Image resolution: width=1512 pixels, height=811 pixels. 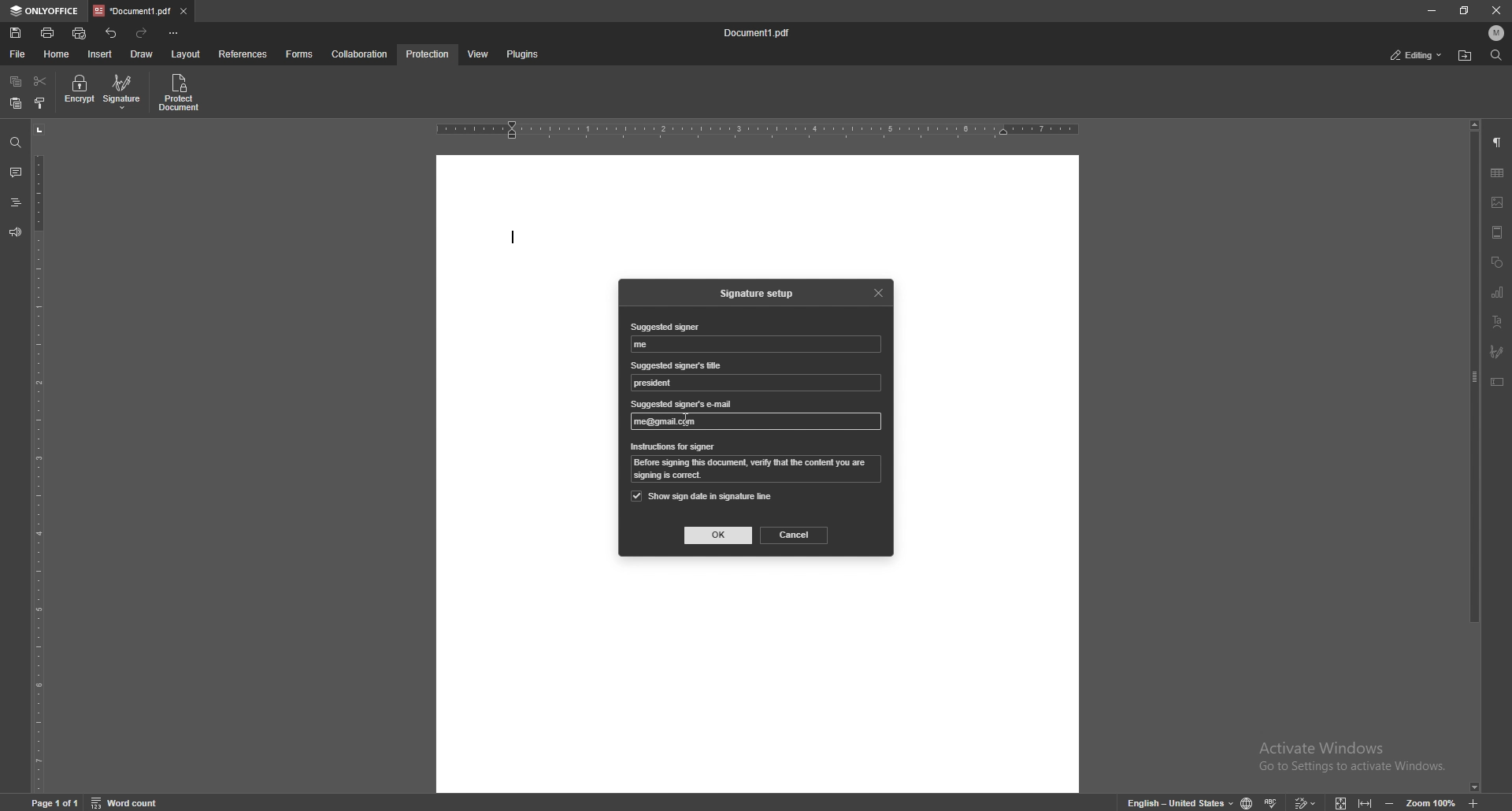 What do you see at coordinates (1465, 57) in the screenshot?
I see `locate file` at bounding box center [1465, 57].